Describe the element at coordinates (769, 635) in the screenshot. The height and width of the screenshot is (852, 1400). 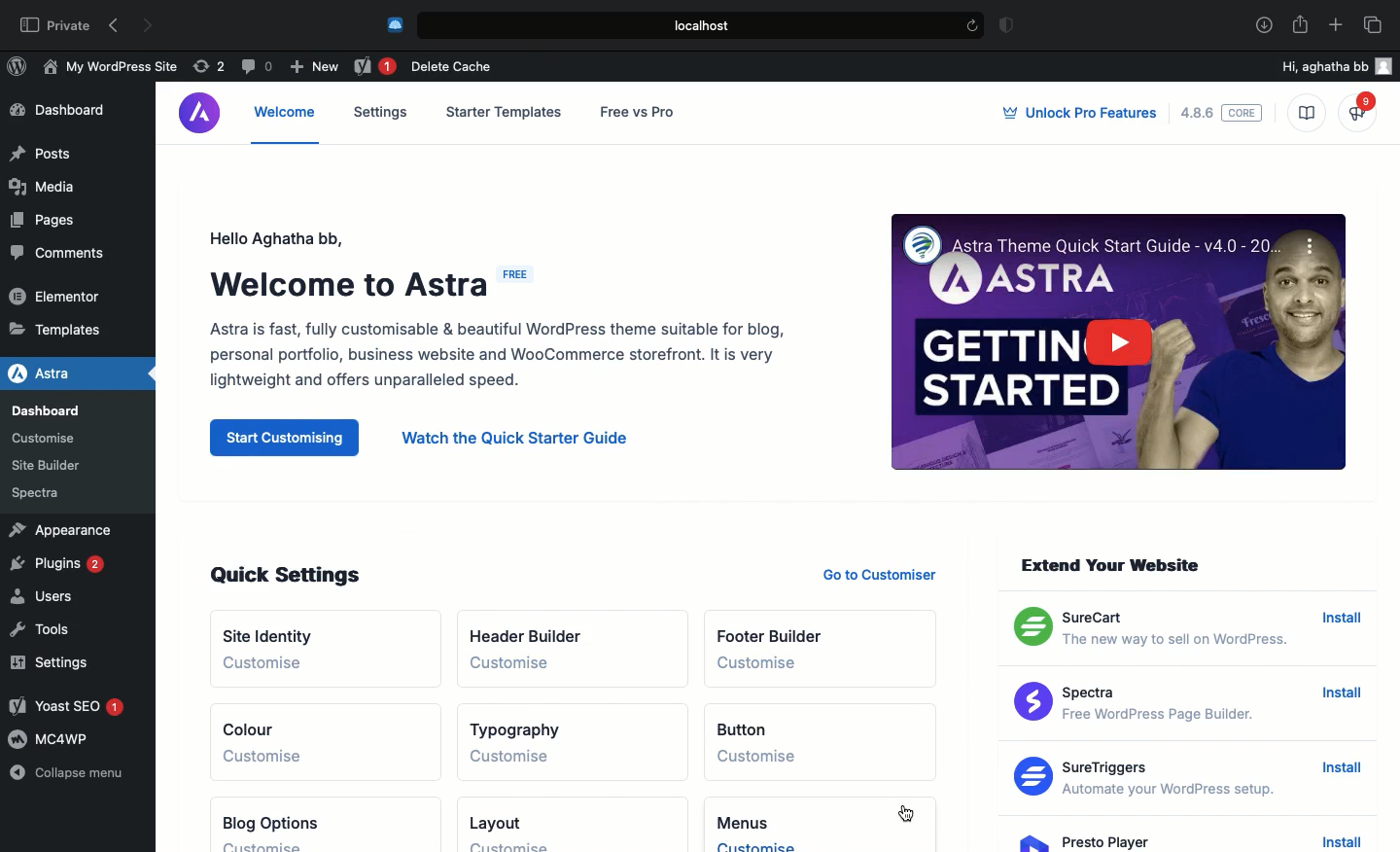
I see `Footer builder` at that location.